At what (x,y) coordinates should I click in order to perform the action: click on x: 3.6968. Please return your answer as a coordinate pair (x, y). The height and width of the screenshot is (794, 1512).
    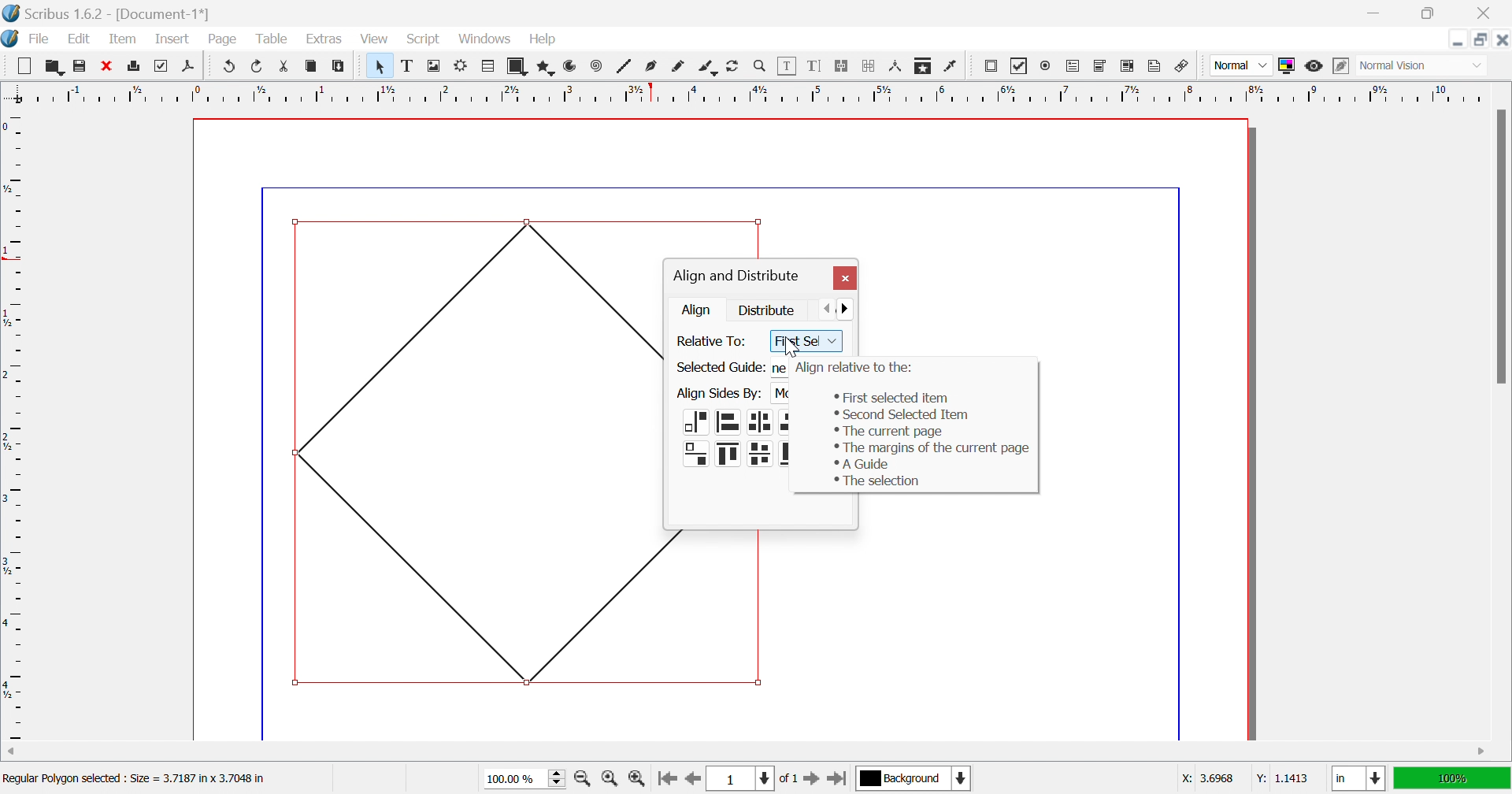
    Looking at the image, I should click on (1210, 778).